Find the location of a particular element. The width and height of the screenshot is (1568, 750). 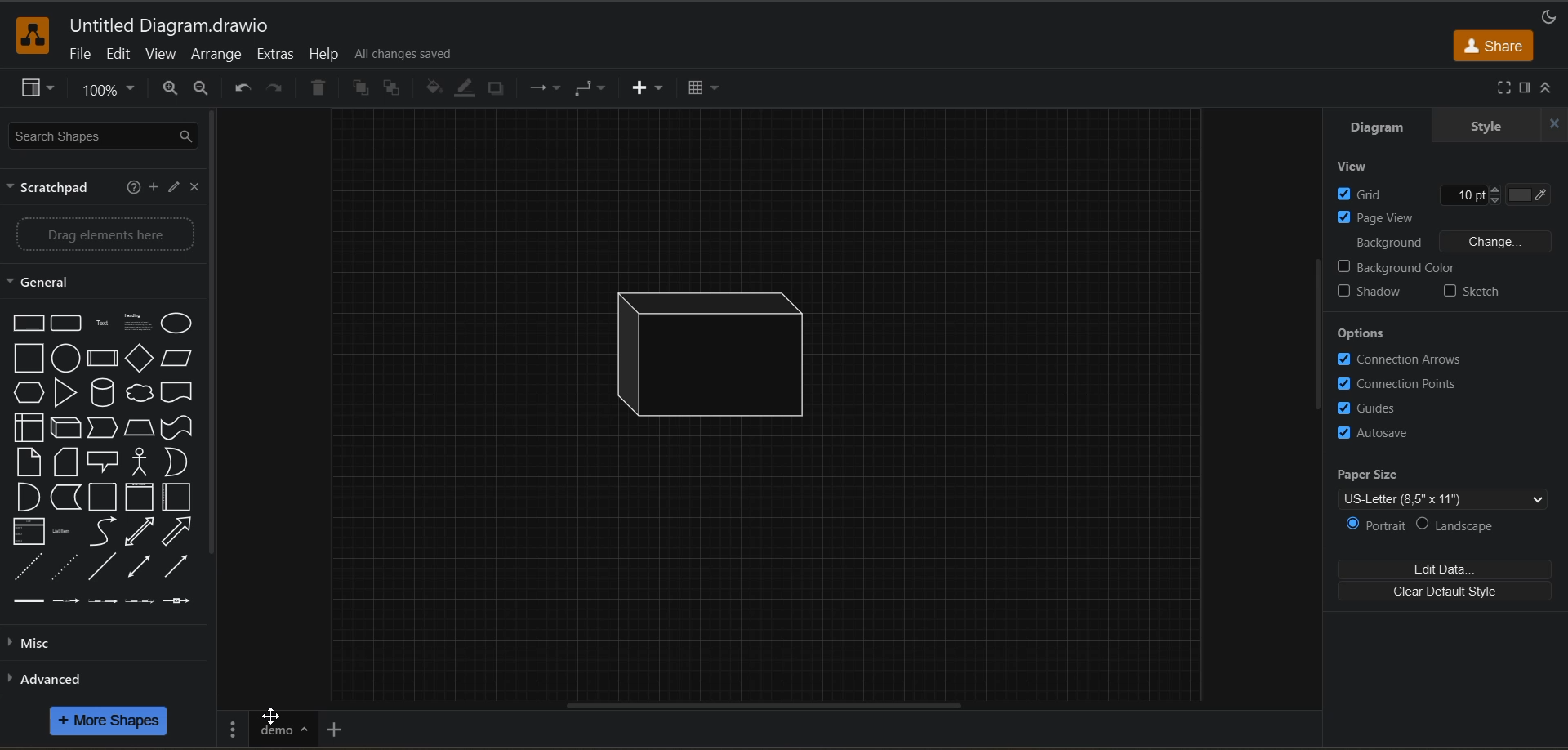

file is located at coordinates (86, 54).